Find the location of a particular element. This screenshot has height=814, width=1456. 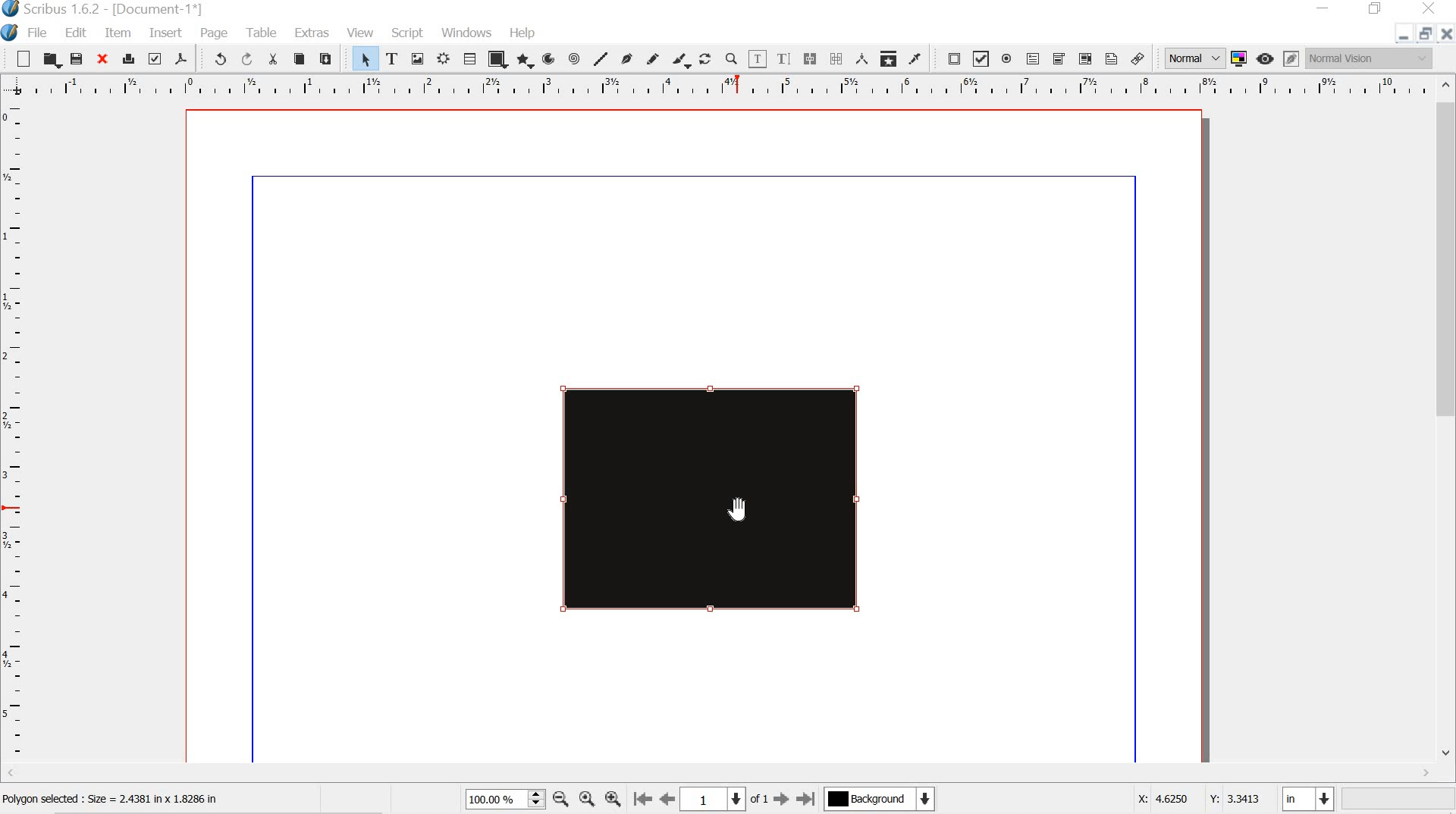

undo is located at coordinates (219, 58).